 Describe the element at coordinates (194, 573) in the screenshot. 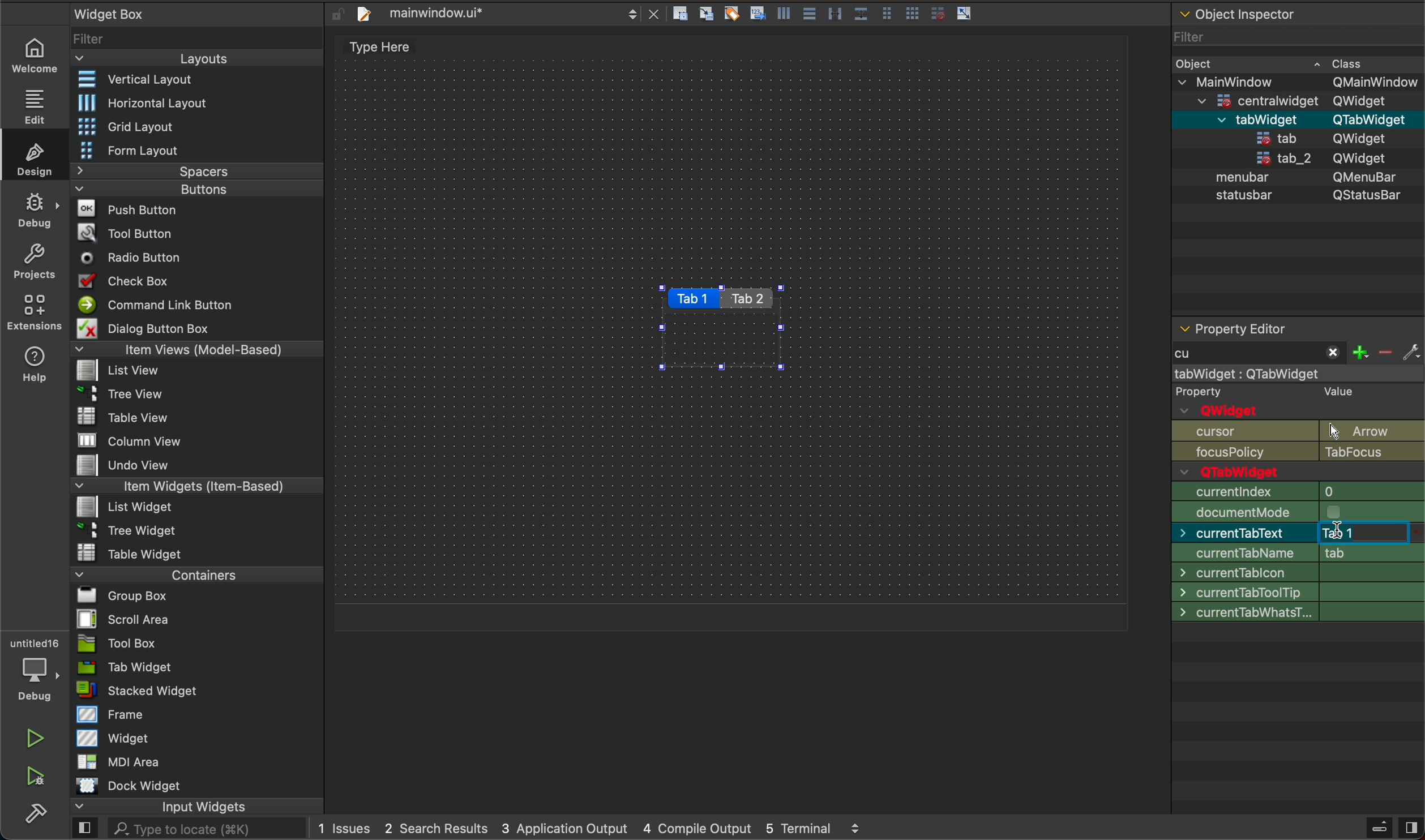

I see `Containers` at that location.